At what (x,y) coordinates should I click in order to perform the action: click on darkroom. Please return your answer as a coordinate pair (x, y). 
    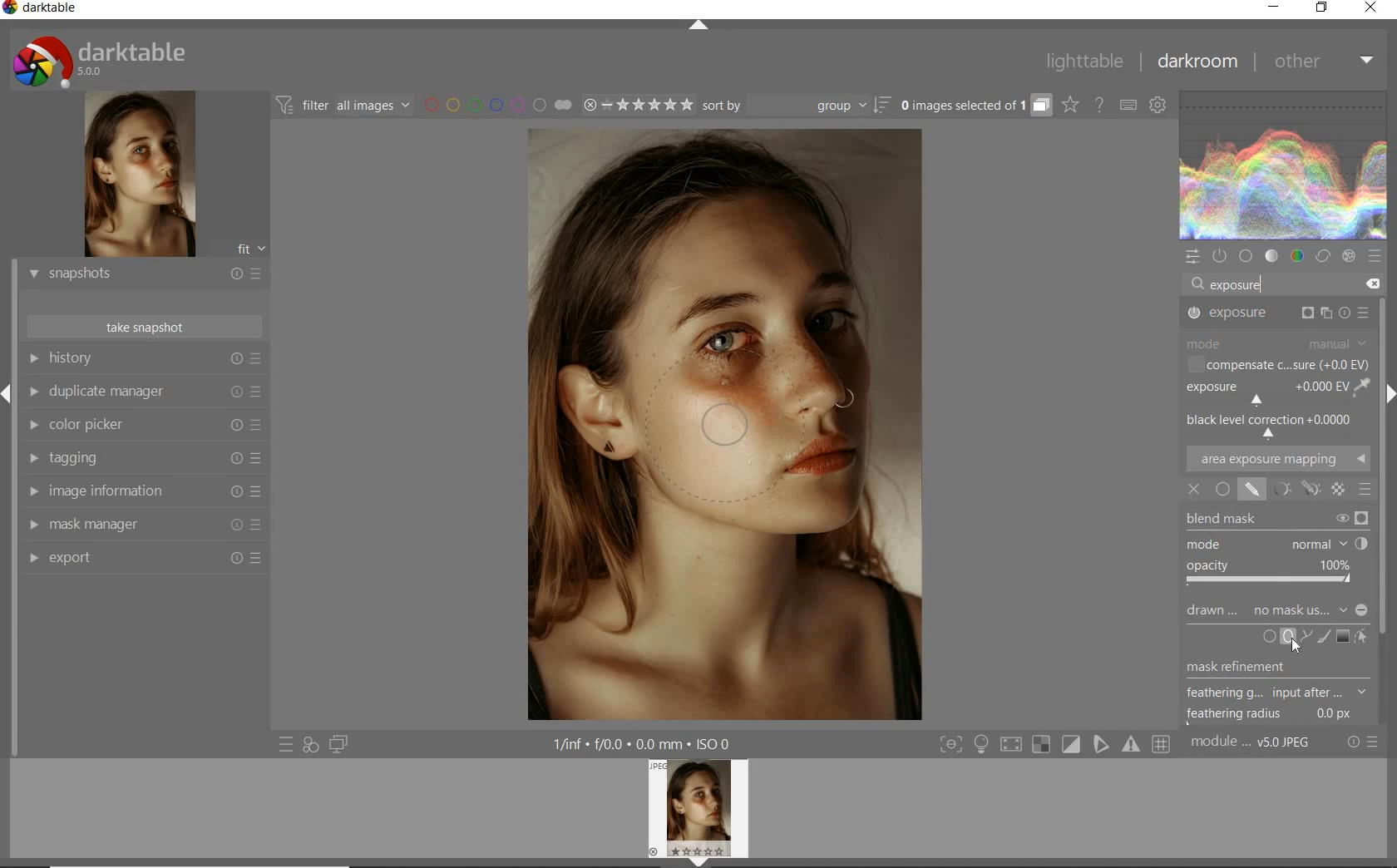
    Looking at the image, I should click on (1195, 62).